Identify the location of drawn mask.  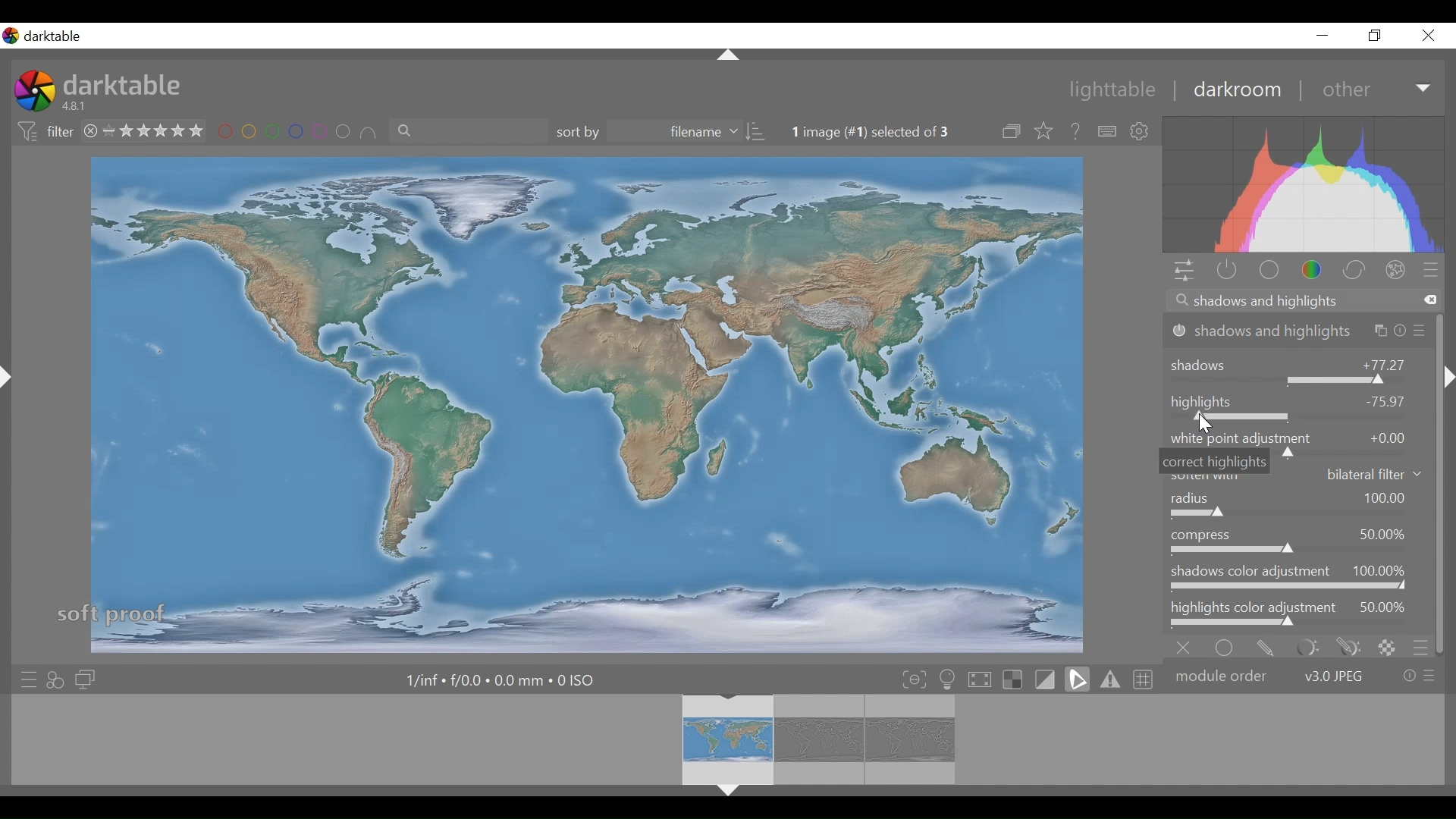
(1266, 646).